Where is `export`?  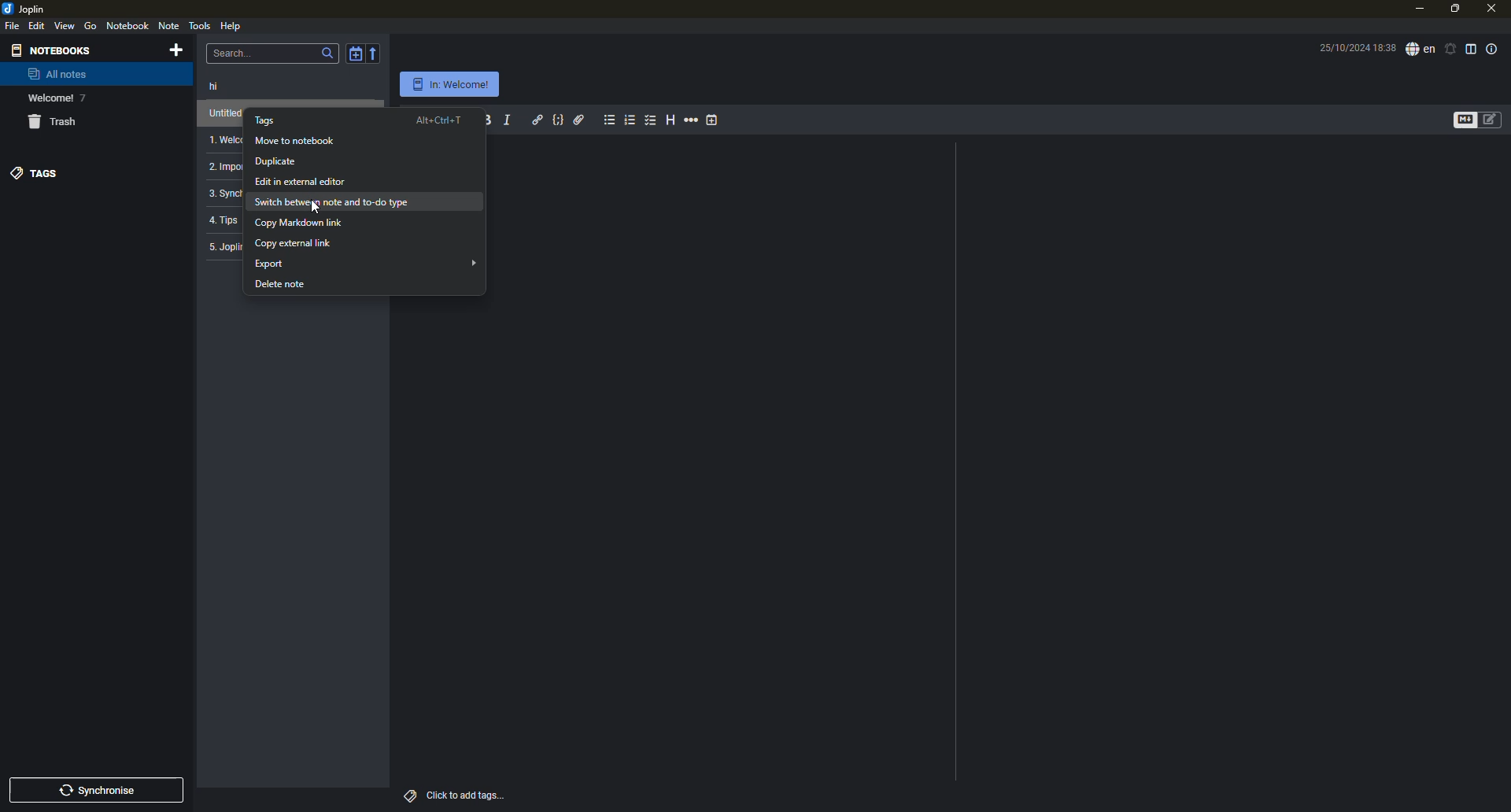
export is located at coordinates (368, 264).